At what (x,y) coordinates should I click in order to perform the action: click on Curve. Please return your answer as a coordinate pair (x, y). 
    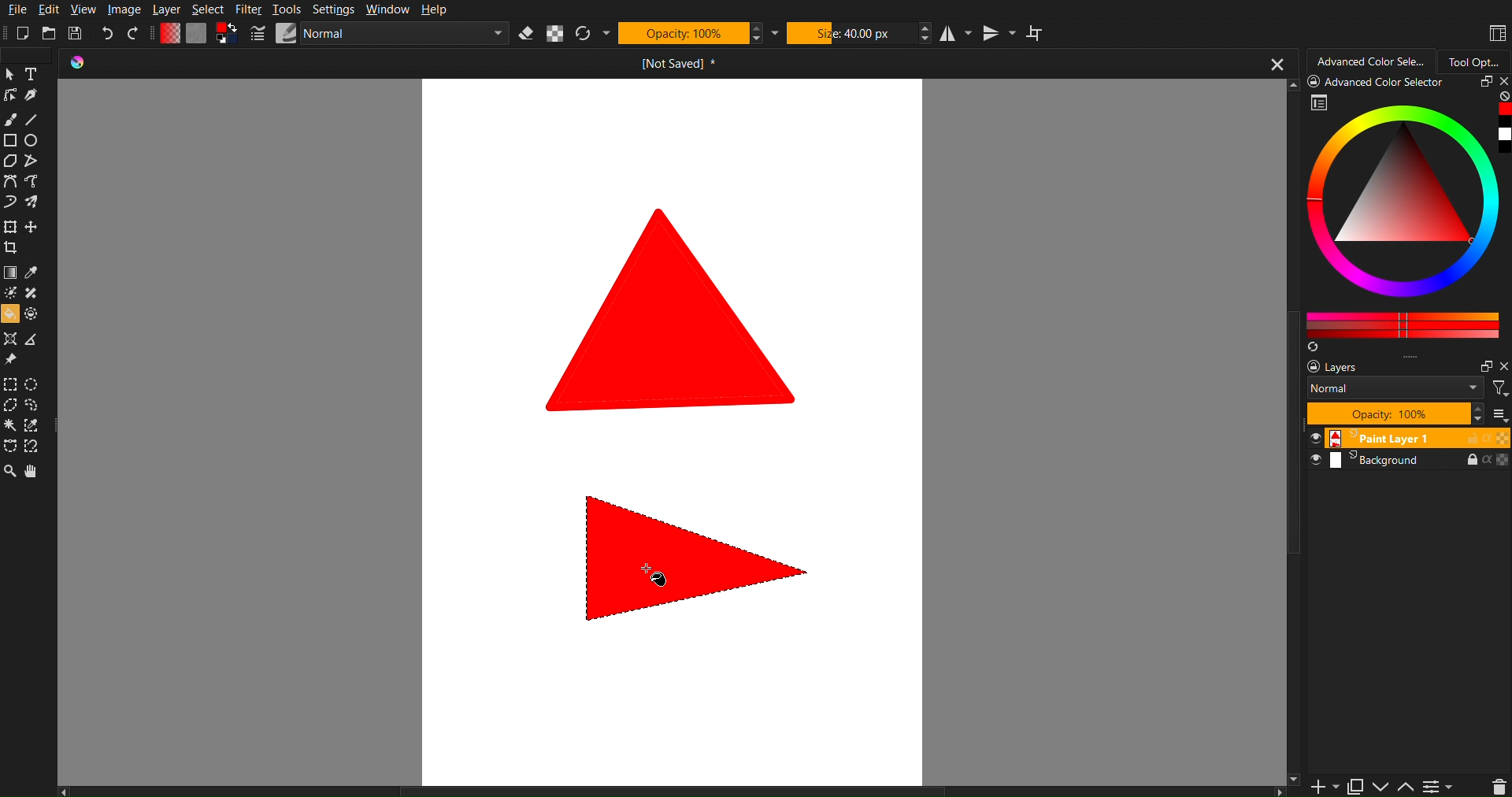
    Looking at the image, I should click on (9, 204).